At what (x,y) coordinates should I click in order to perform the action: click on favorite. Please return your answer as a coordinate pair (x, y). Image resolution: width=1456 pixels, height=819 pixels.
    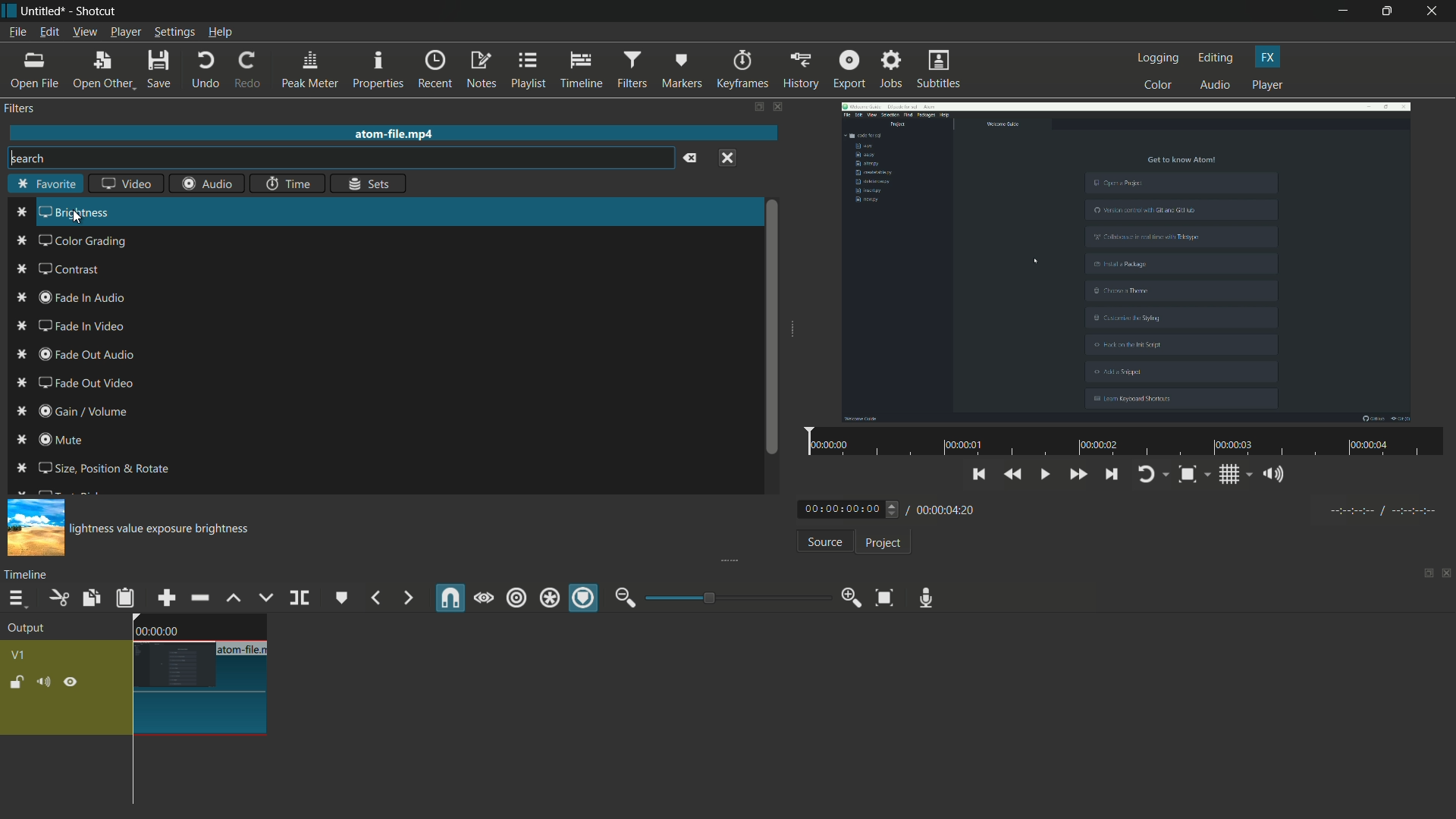
    Looking at the image, I should click on (46, 185).